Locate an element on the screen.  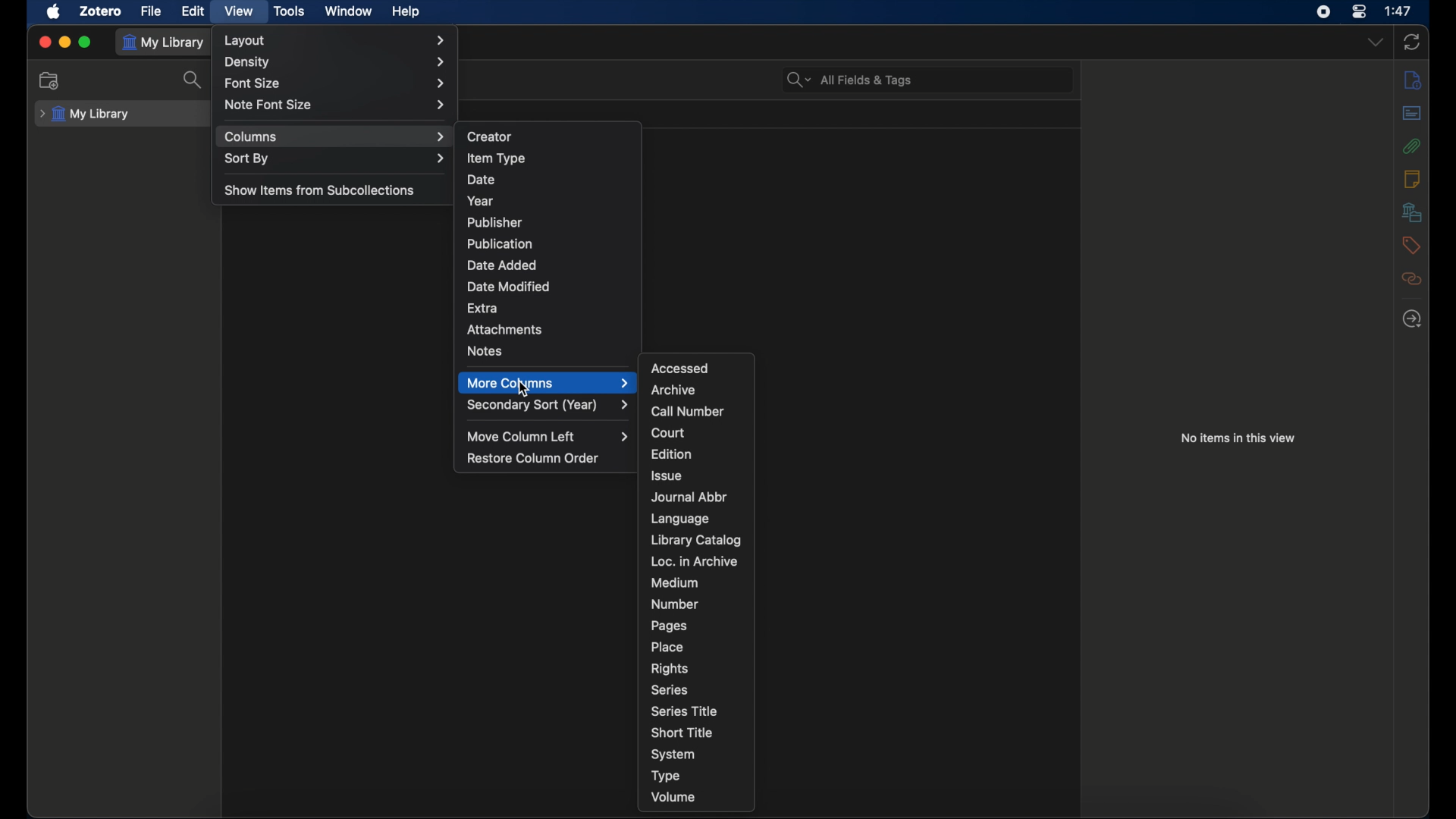
Cursor is located at coordinates (519, 389).